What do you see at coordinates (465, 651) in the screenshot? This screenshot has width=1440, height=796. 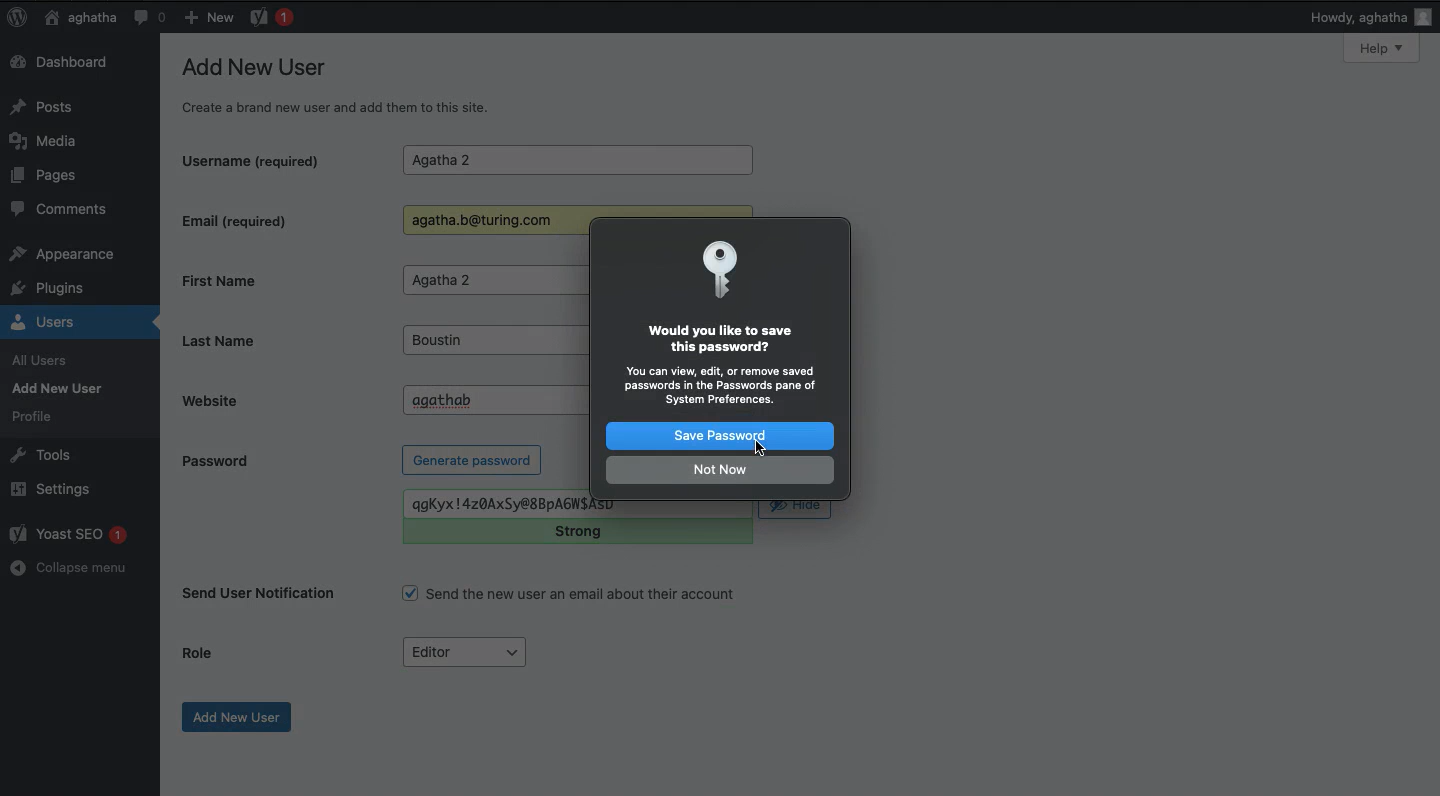 I see `Editor` at bounding box center [465, 651].